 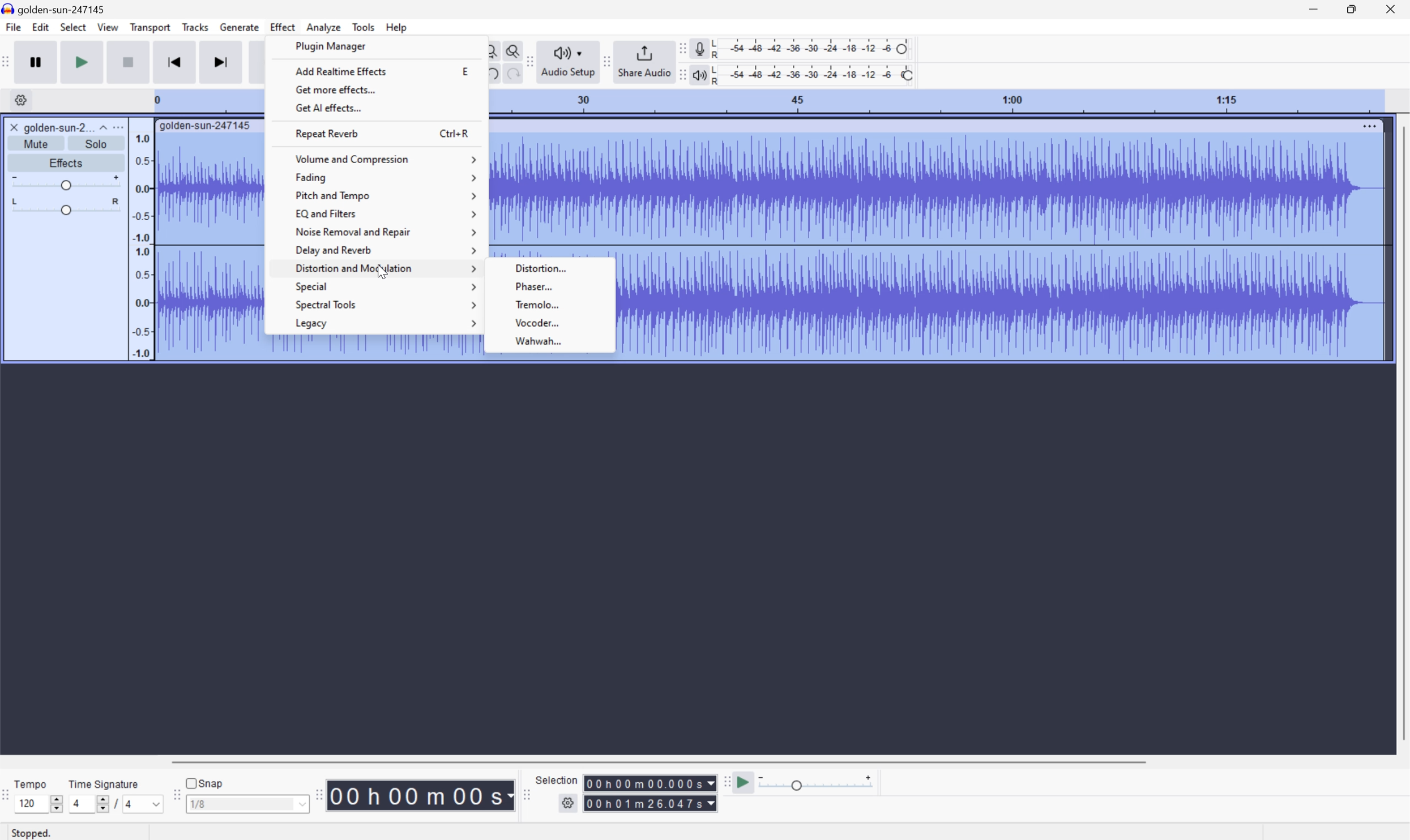 What do you see at coordinates (121, 126) in the screenshot?
I see `More` at bounding box center [121, 126].